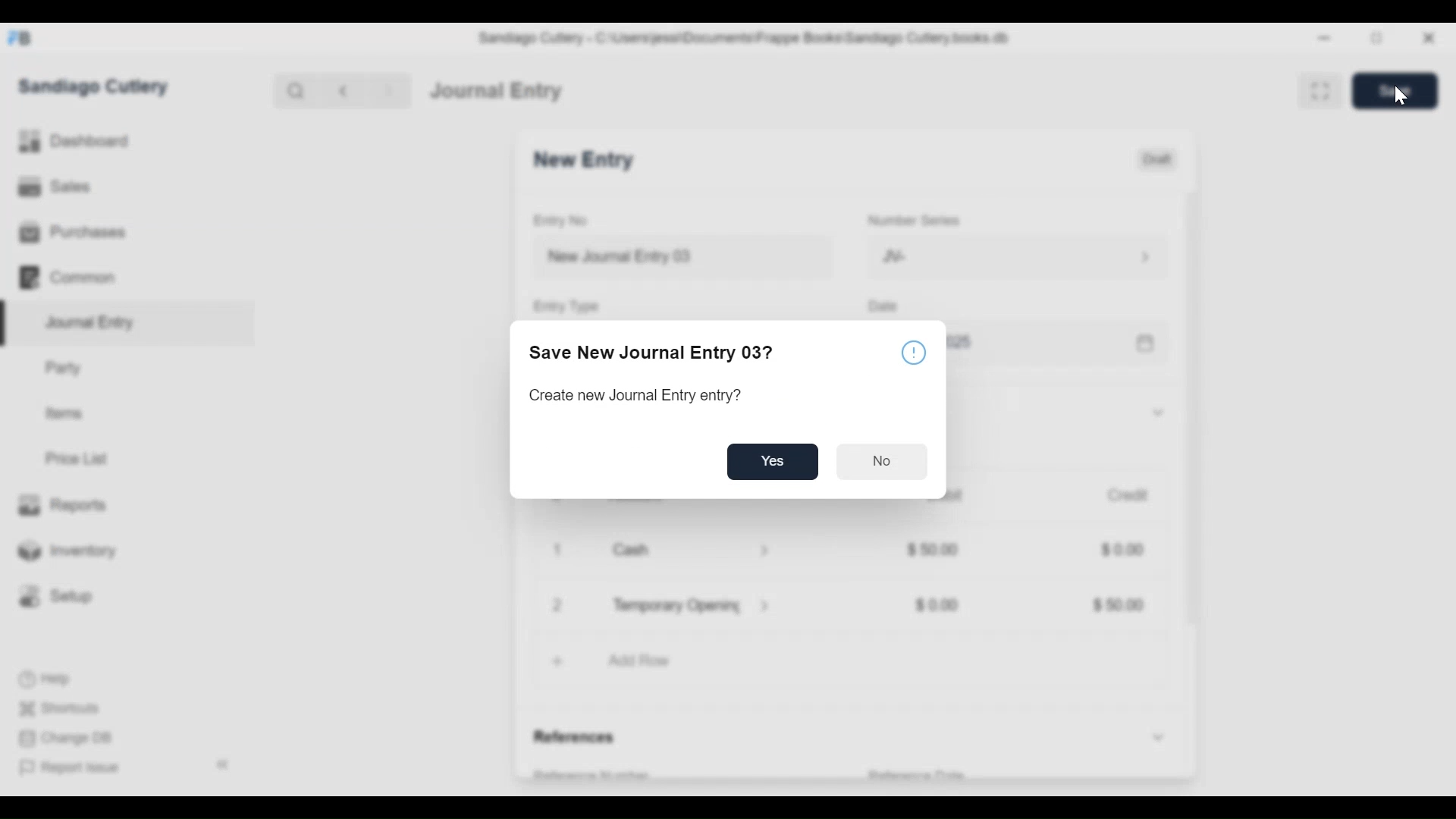 This screenshot has height=819, width=1456. What do you see at coordinates (775, 462) in the screenshot?
I see `Yes ` at bounding box center [775, 462].